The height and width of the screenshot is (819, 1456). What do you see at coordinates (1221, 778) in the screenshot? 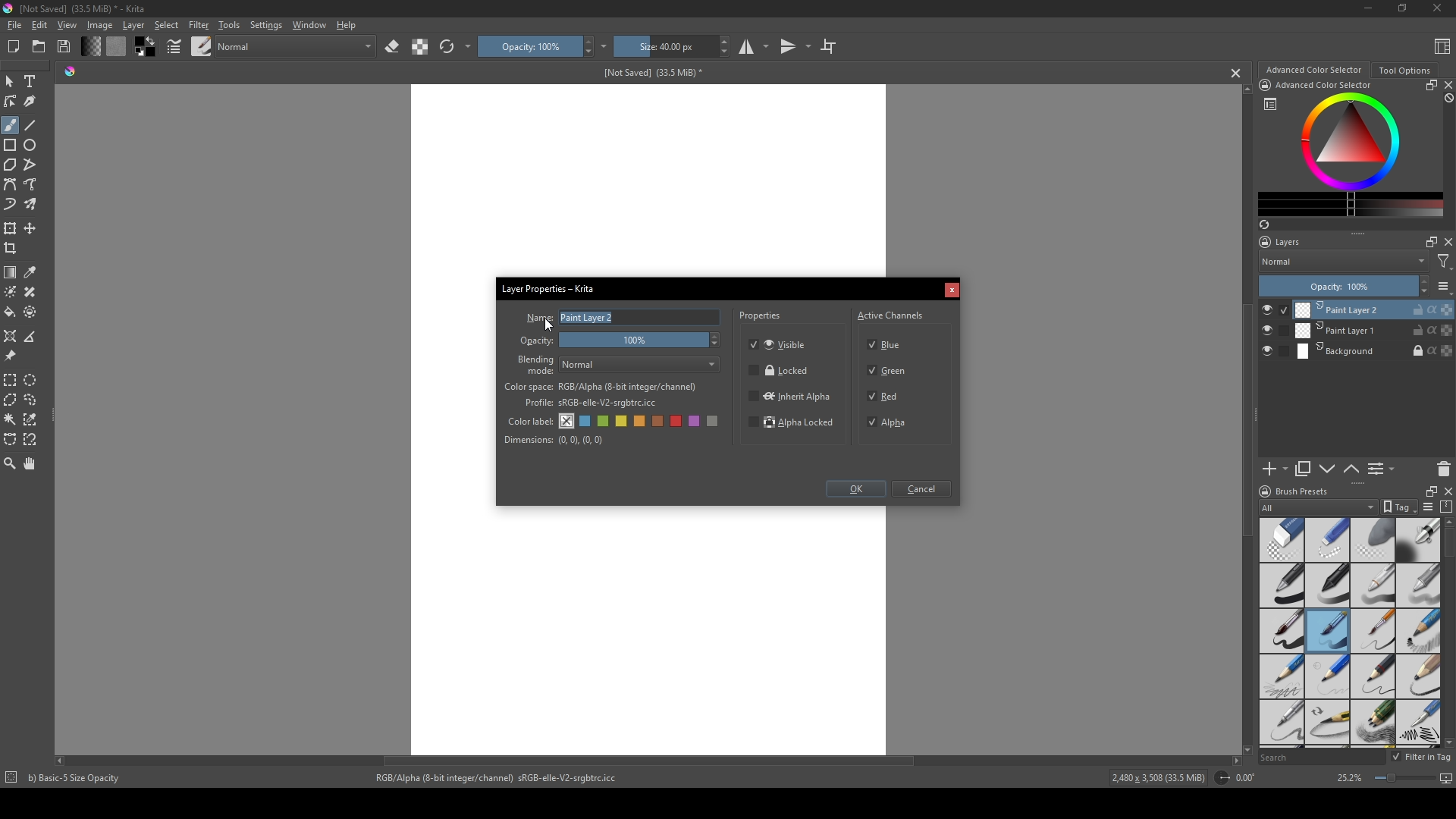
I see `icon` at bounding box center [1221, 778].